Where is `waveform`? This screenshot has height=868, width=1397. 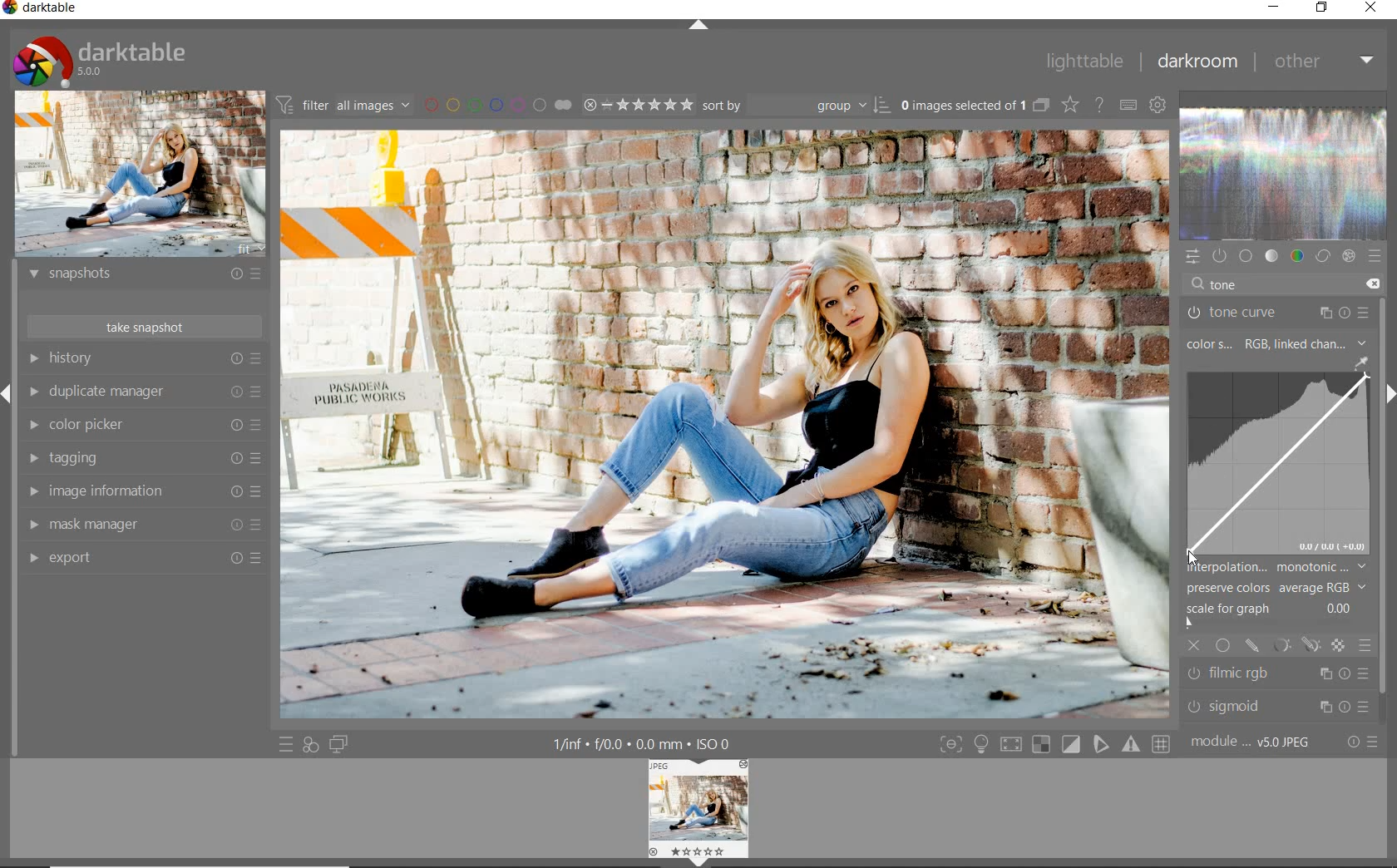 waveform is located at coordinates (1284, 175).